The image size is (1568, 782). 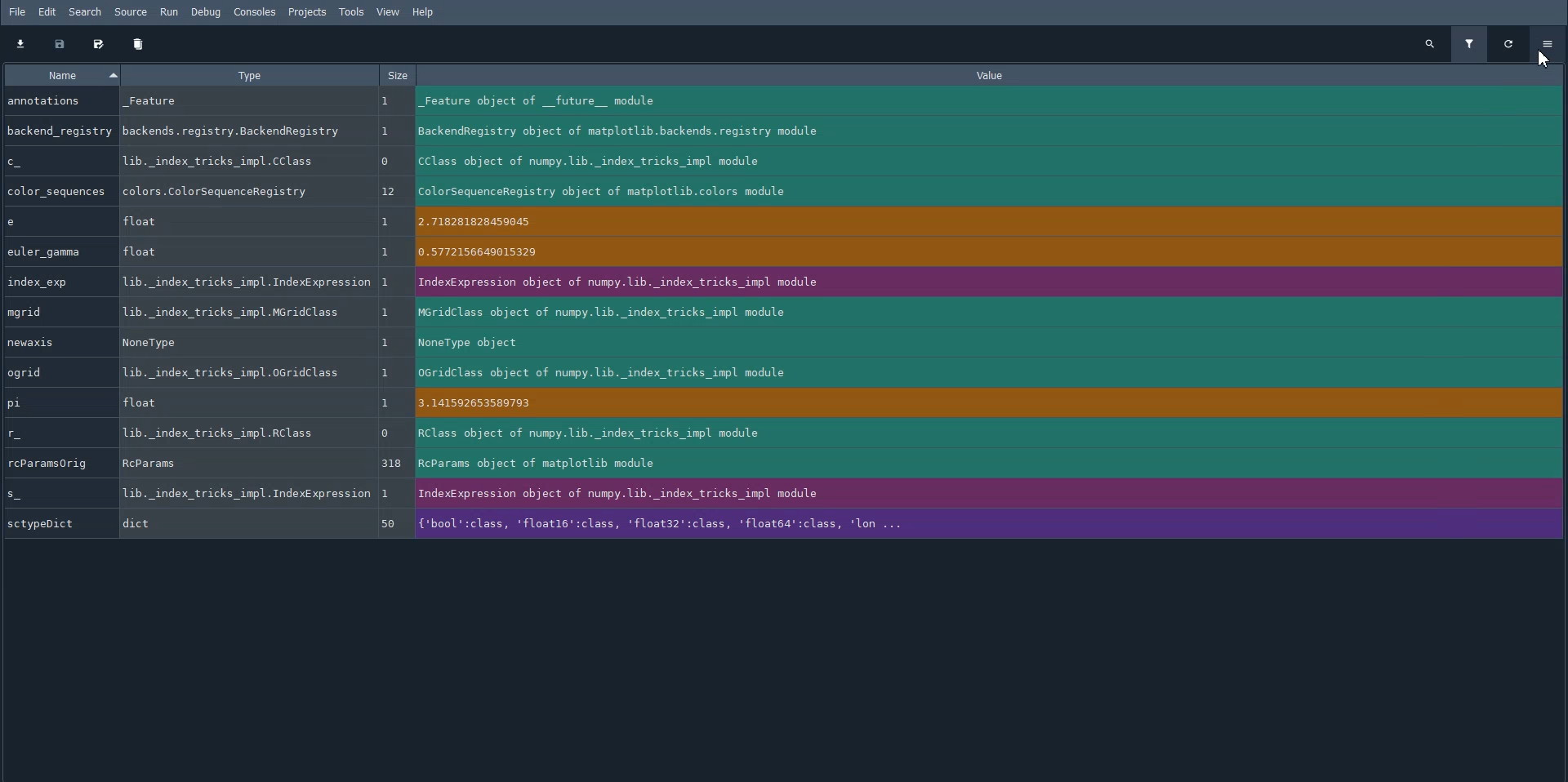 I want to click on Projects, so click(x=307, y=12).